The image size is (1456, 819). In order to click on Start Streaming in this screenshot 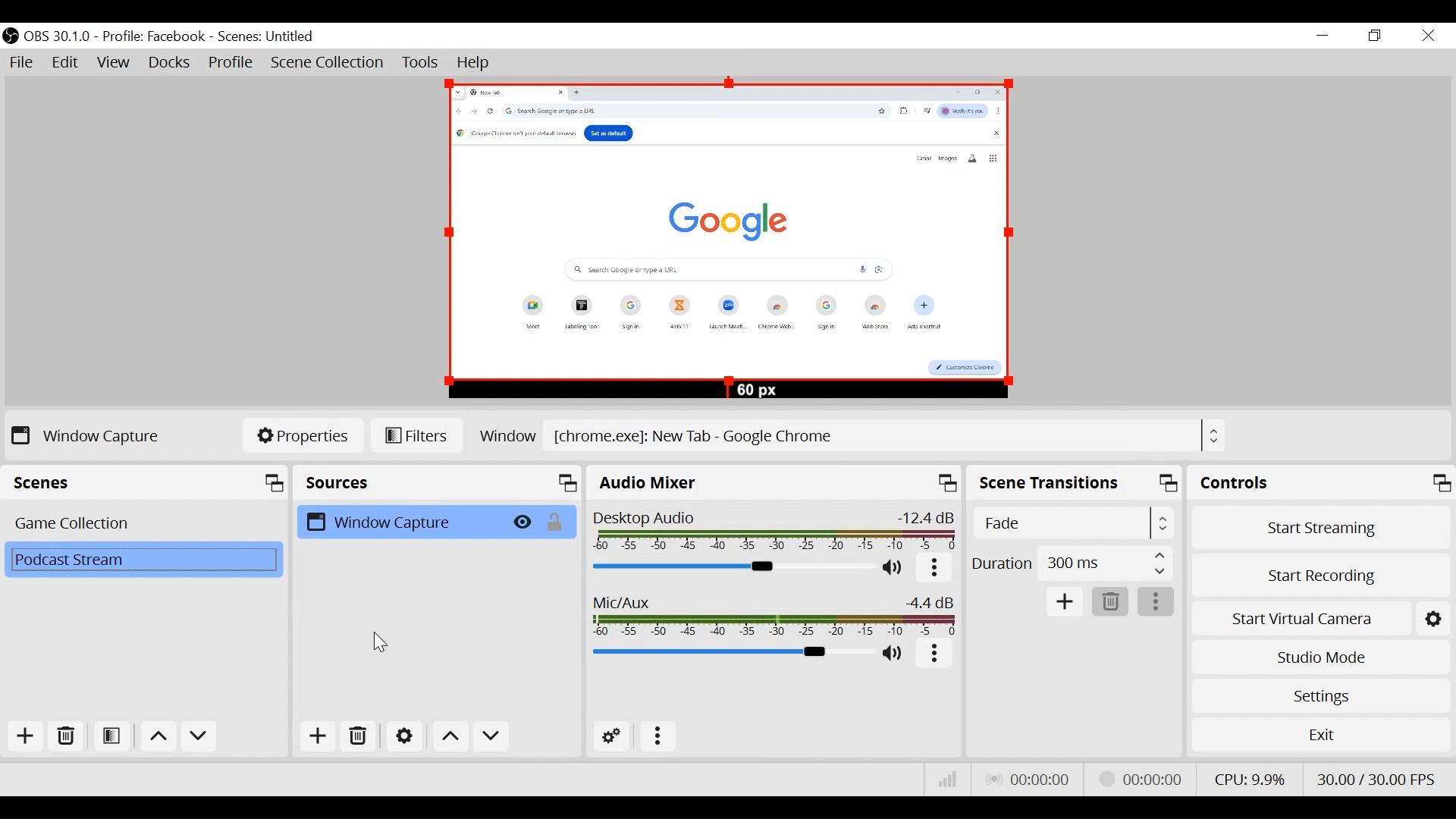, I will do `click(1319, 526)`.